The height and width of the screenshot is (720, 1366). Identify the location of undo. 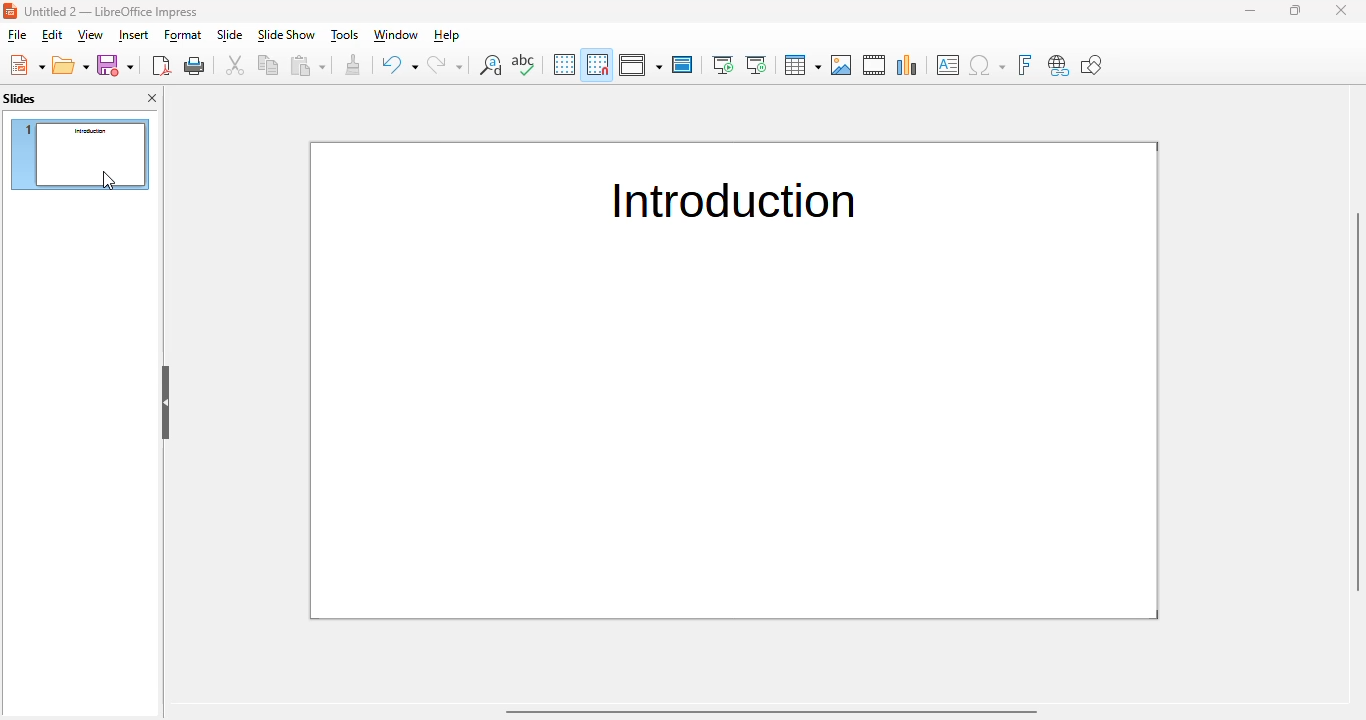
(399, 65).